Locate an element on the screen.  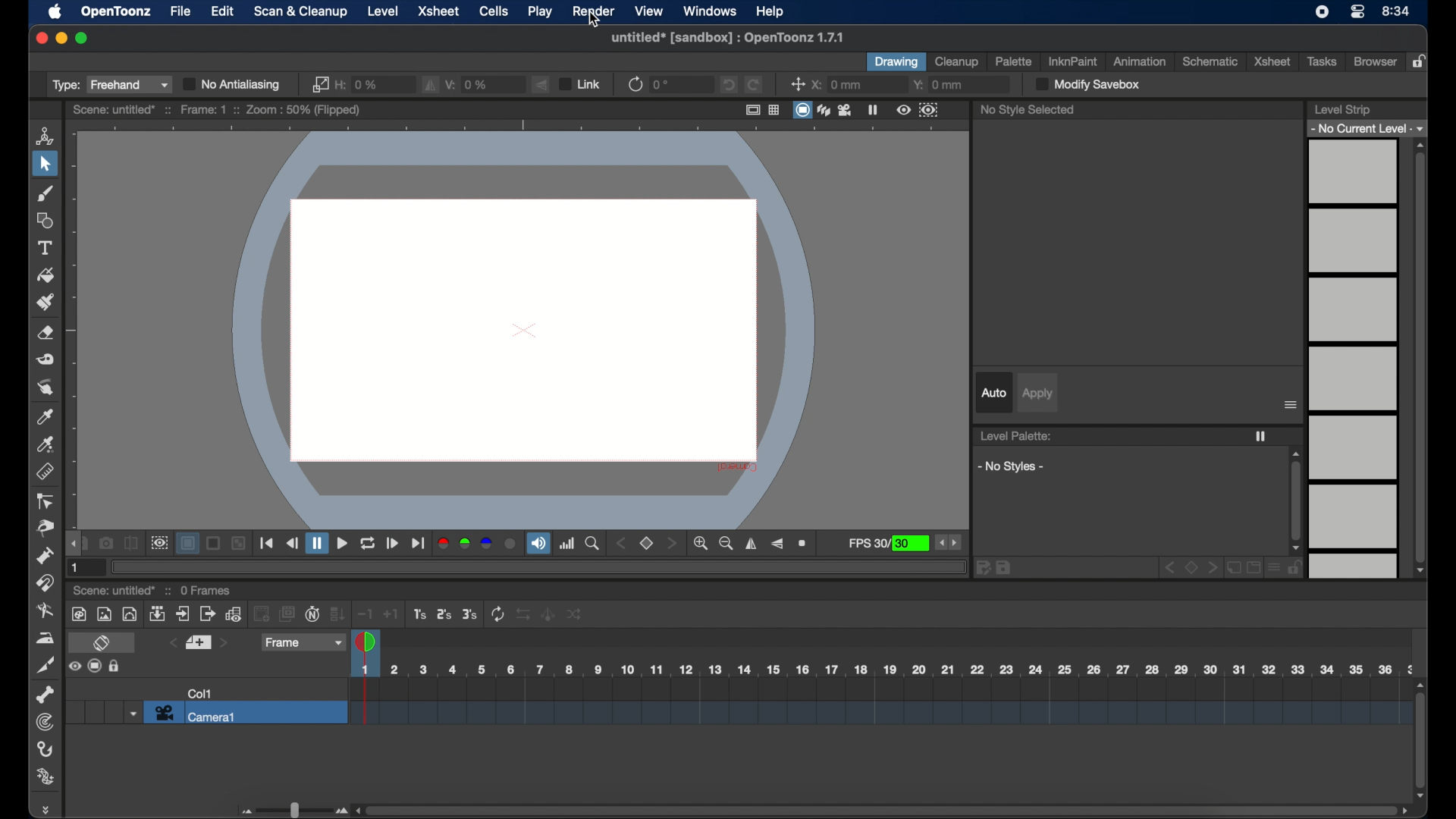
redo is located at coordinates (754, 85).